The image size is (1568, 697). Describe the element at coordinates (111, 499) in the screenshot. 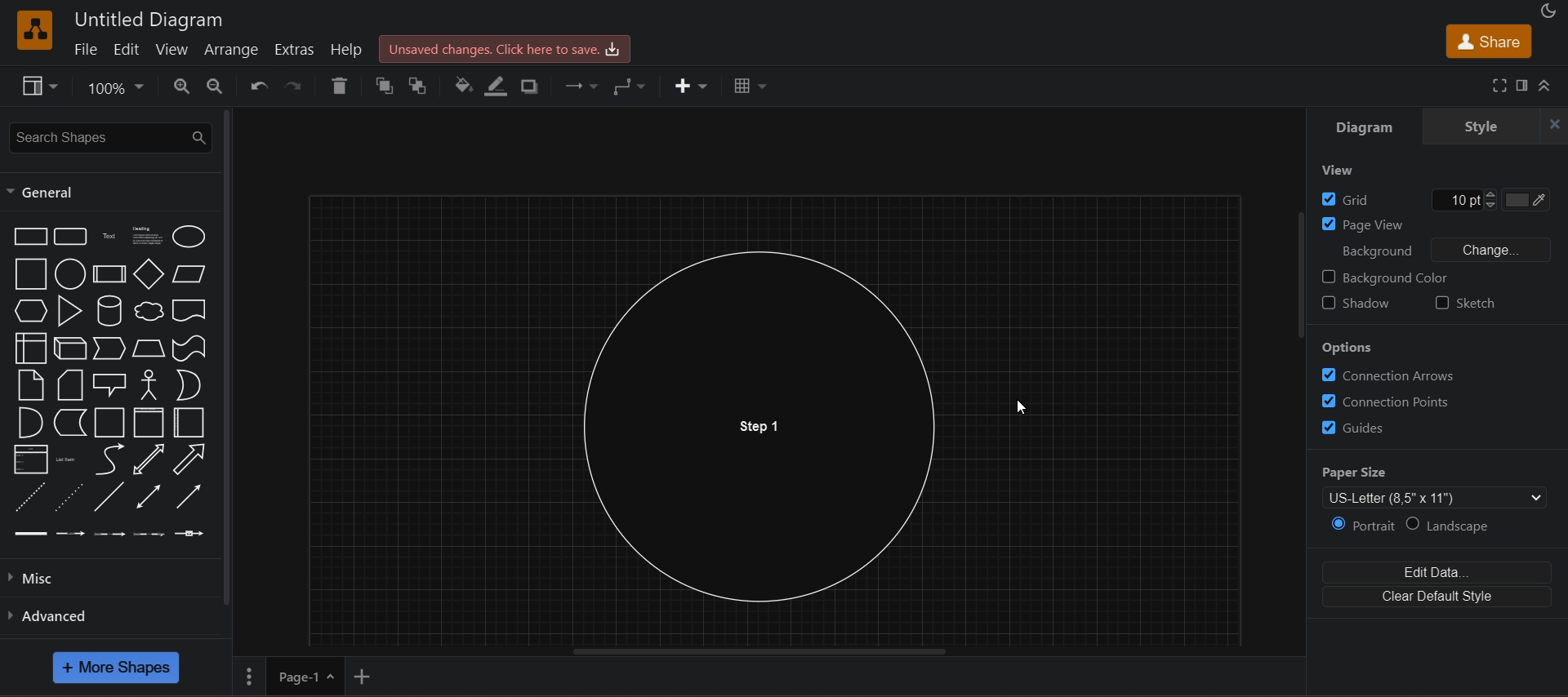

I see `line` at that location.